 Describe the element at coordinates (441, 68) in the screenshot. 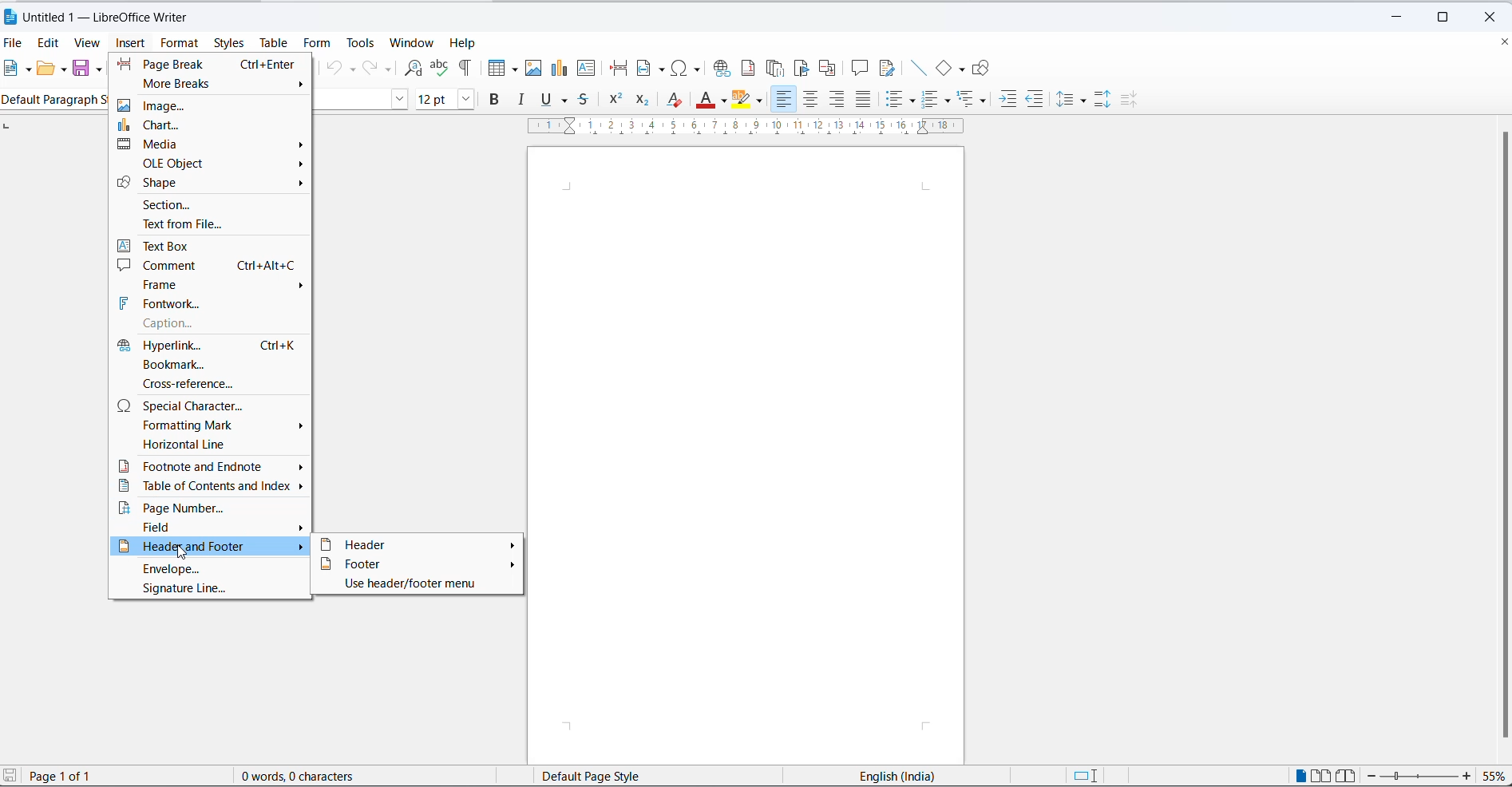

I see `spelling` at that location.